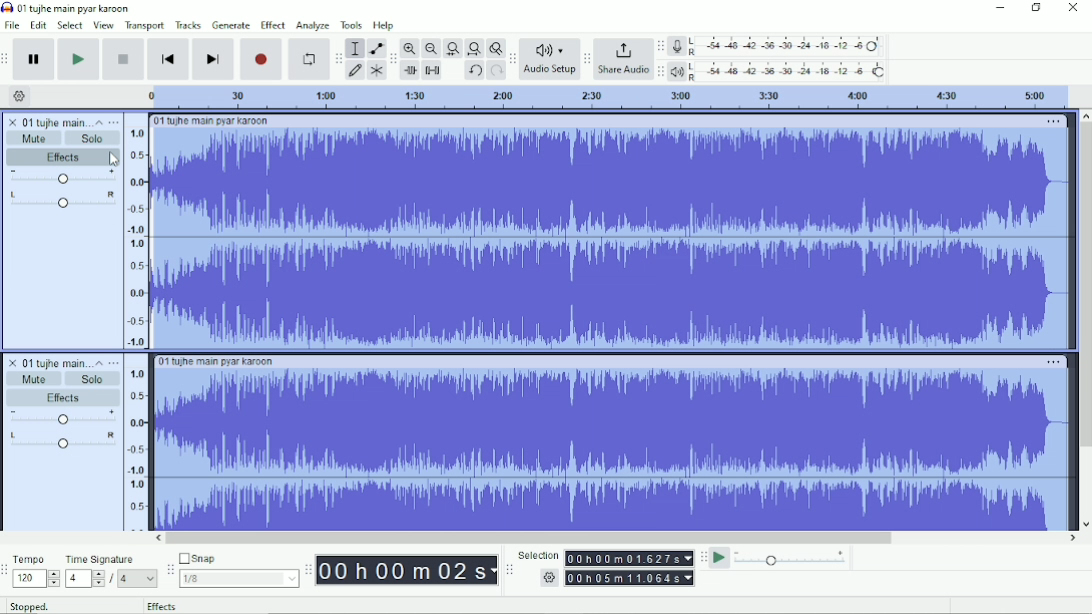  What do you see at coordinates (778, 71) in the screenshot?
I see `Playback meter` at bounding box center [778, 71].